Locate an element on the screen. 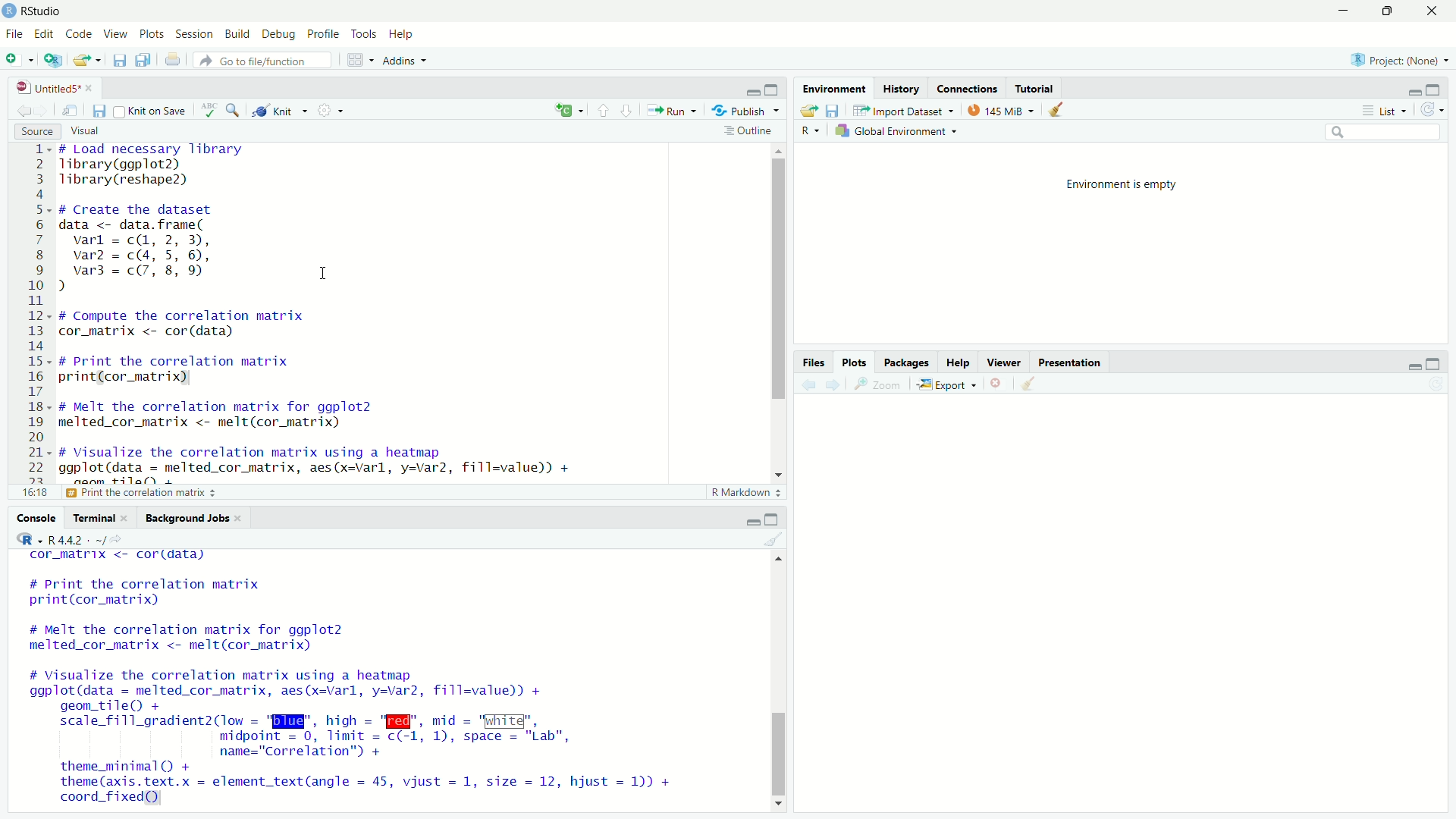 The image size is (1456, 819). minimize is located at coordinates (754, 87).